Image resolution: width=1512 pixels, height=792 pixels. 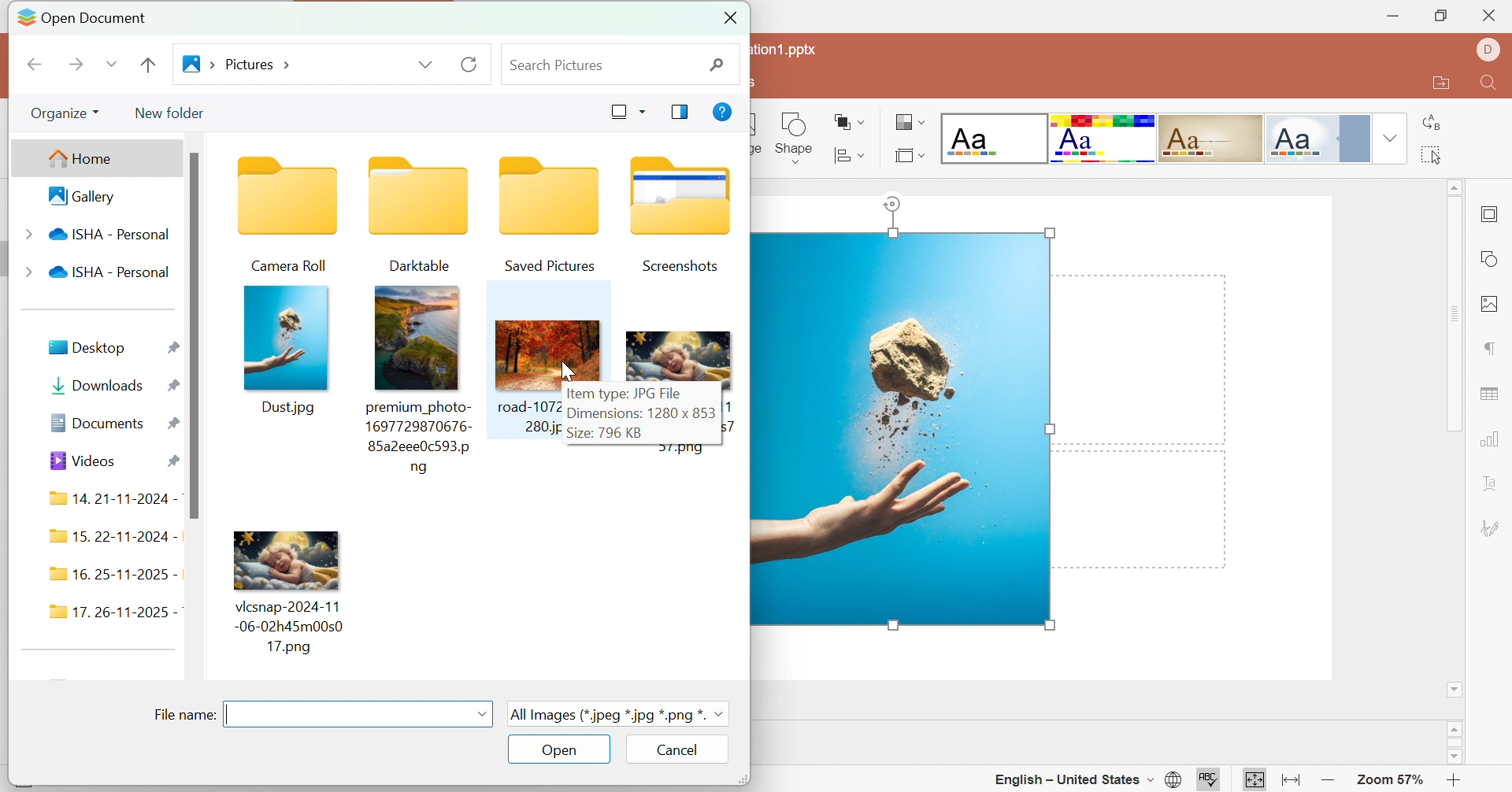 I want to click on Camera roll, so click(x=287, y=211).